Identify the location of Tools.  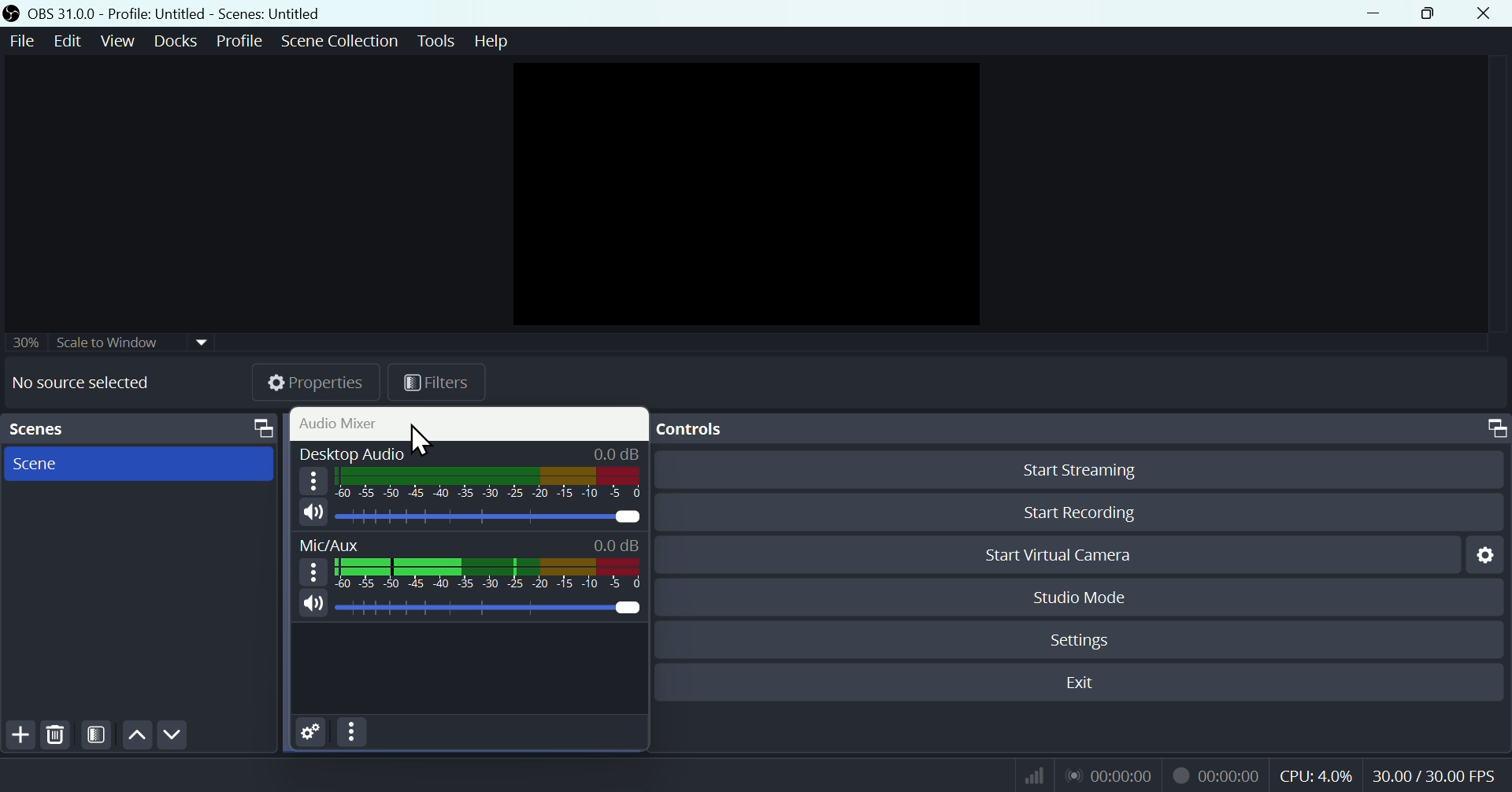
(438, 40).